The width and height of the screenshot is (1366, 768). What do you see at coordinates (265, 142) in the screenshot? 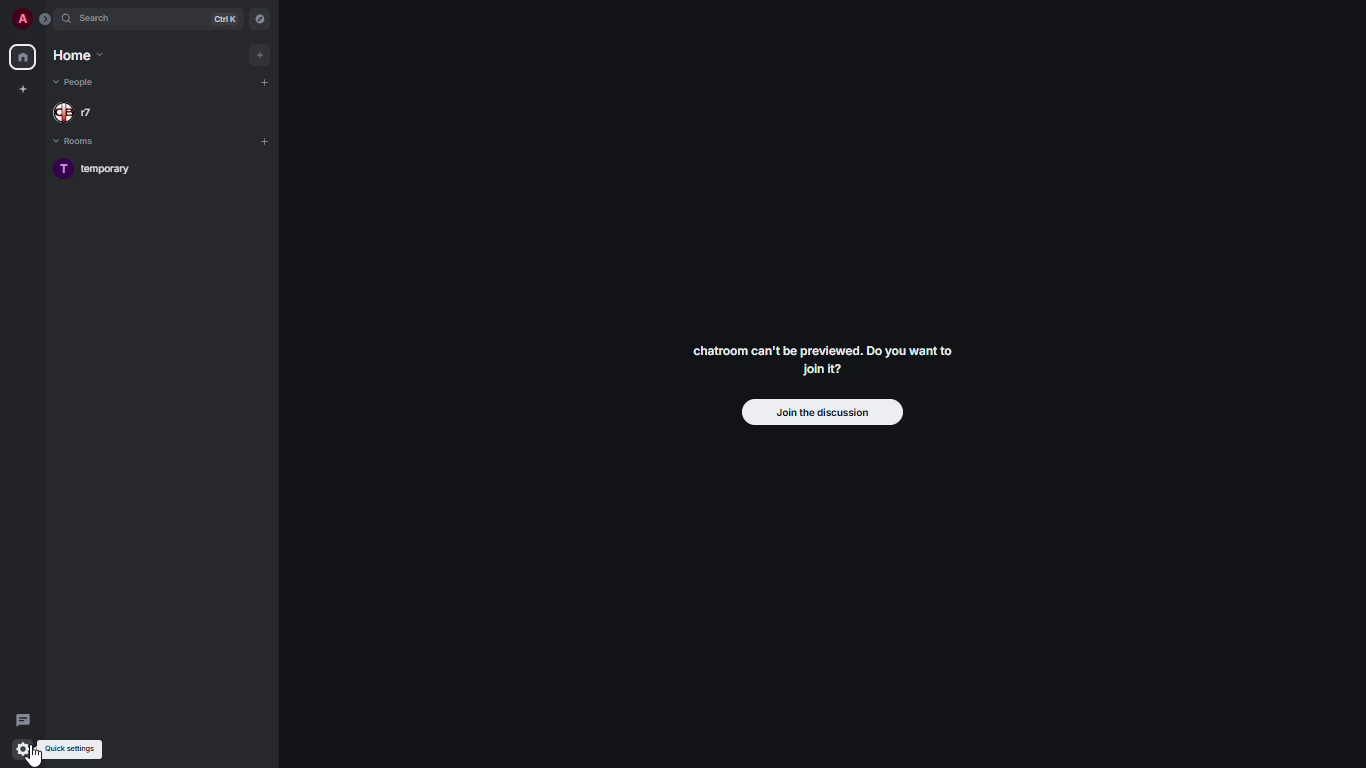
I see `add` at bounding box center [265, 142].